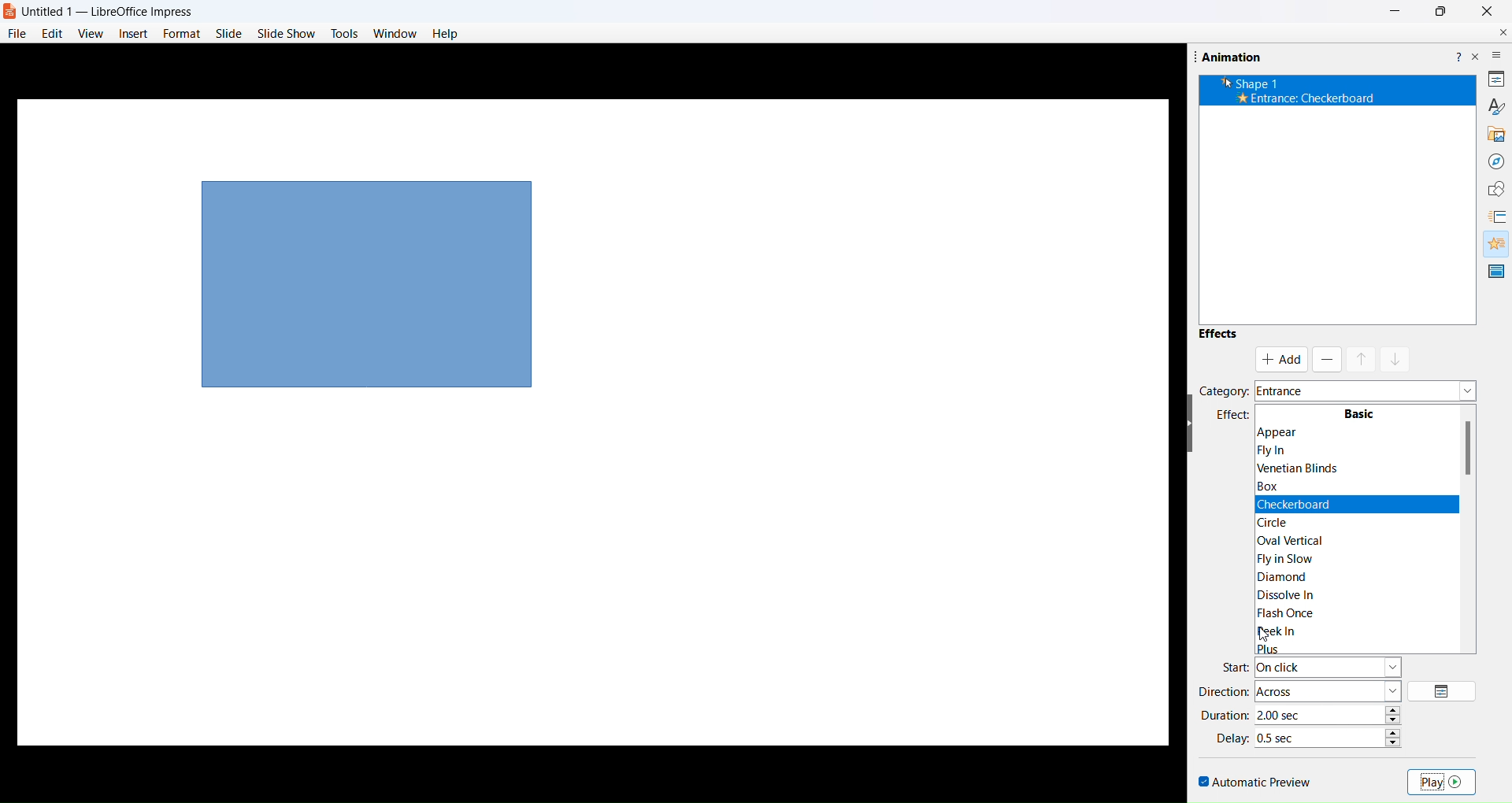  Describe the element at coordinates (1470, 503) in the screenshot. I see `scrollbar` at that location.